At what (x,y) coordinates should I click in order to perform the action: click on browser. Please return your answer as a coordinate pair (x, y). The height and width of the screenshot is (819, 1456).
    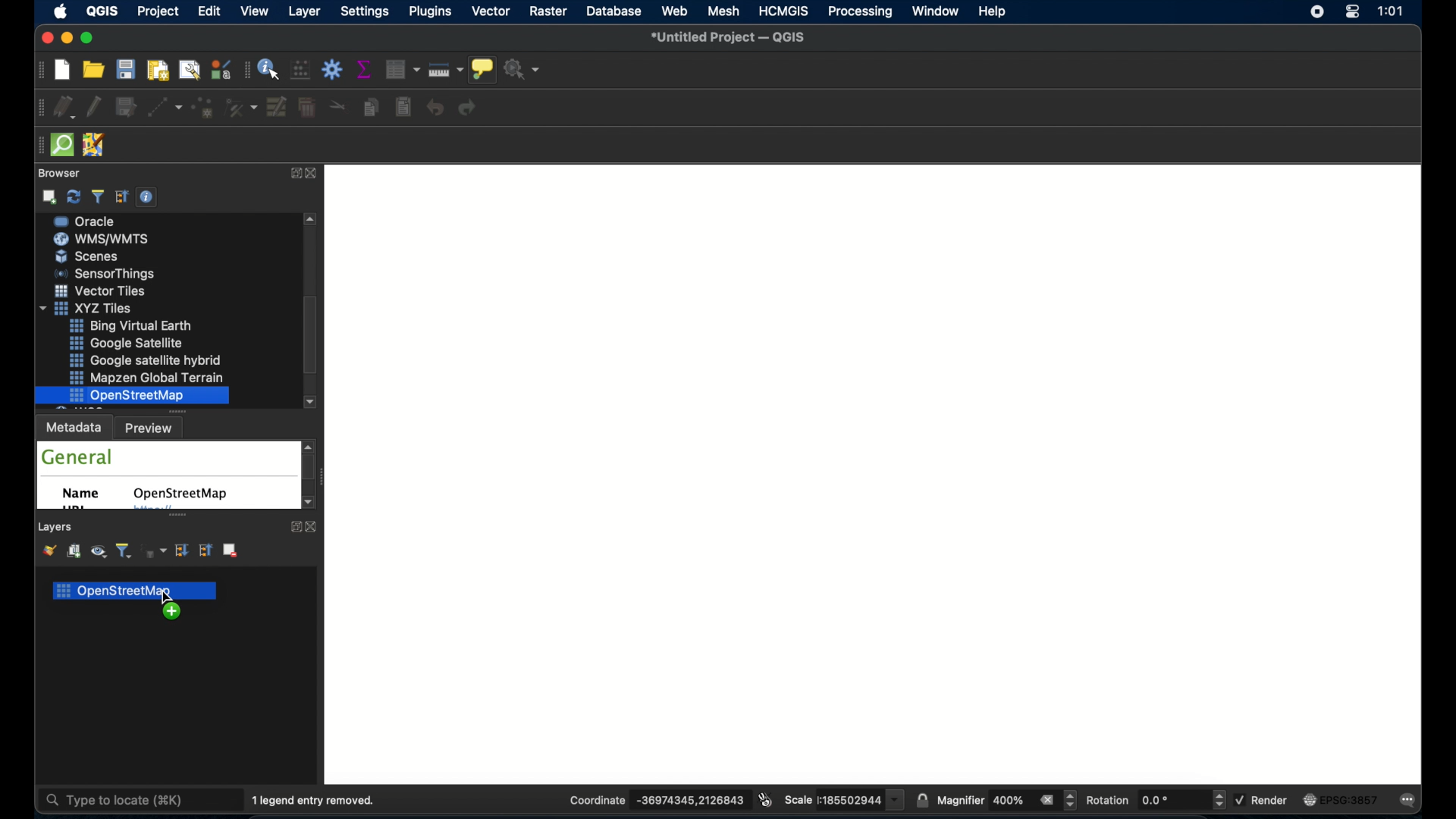
    Looking at the image, I should click on (57, 174).